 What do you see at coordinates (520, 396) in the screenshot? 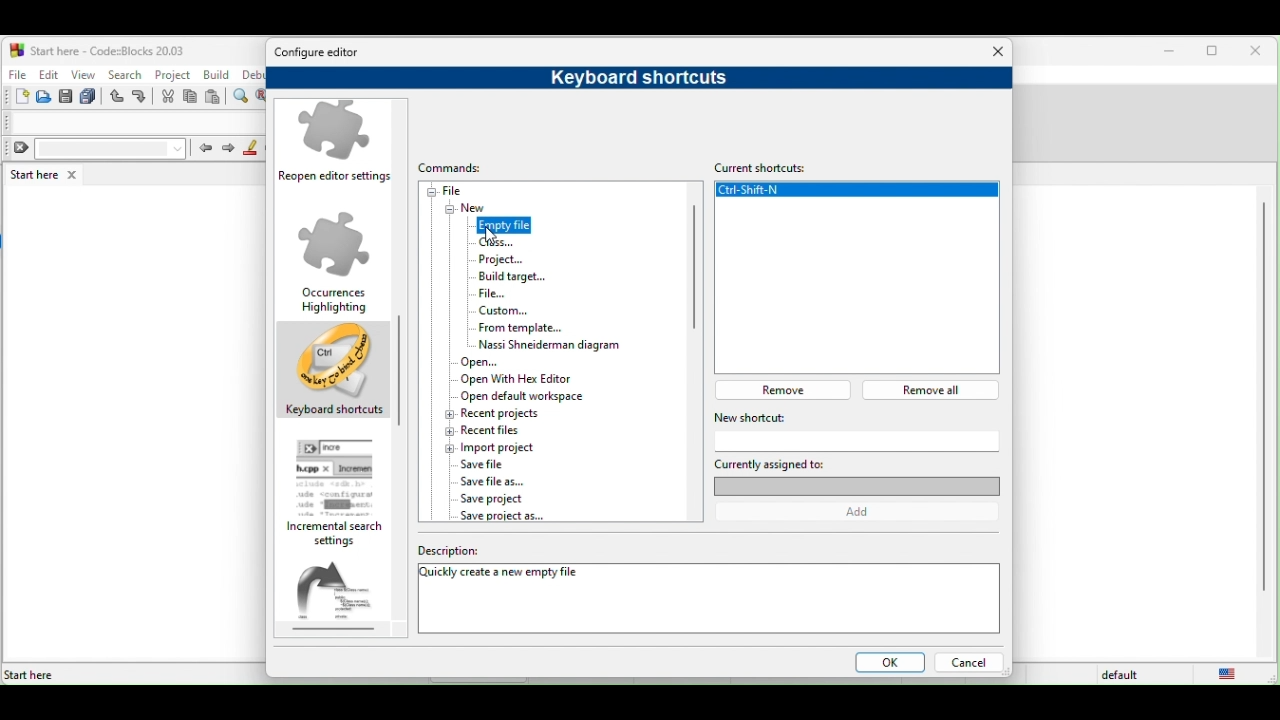
I see `open default workspace` at bounding box center [520, 396].